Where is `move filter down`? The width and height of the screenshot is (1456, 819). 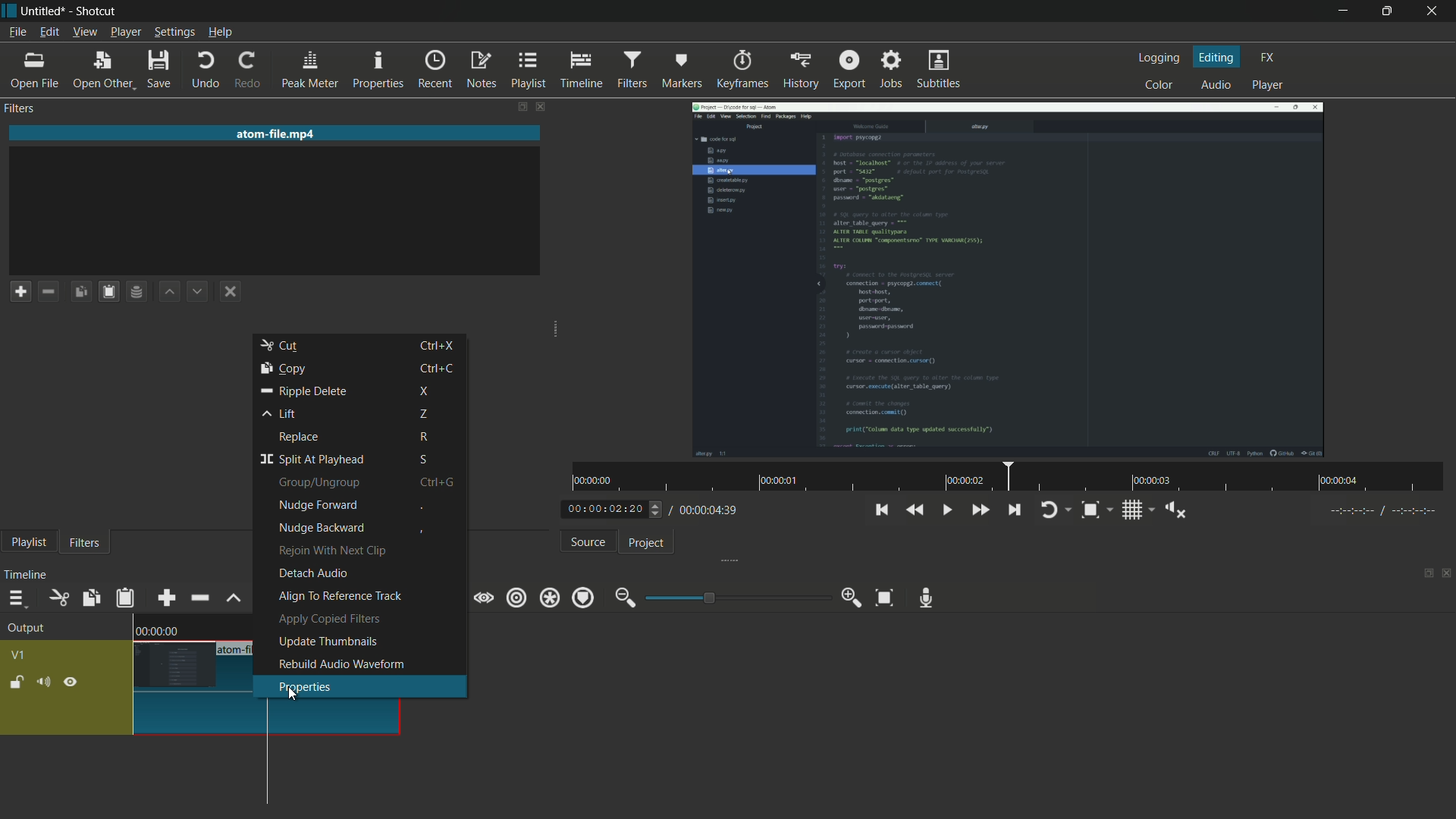 move filter down is located at coordinates (198, 291).